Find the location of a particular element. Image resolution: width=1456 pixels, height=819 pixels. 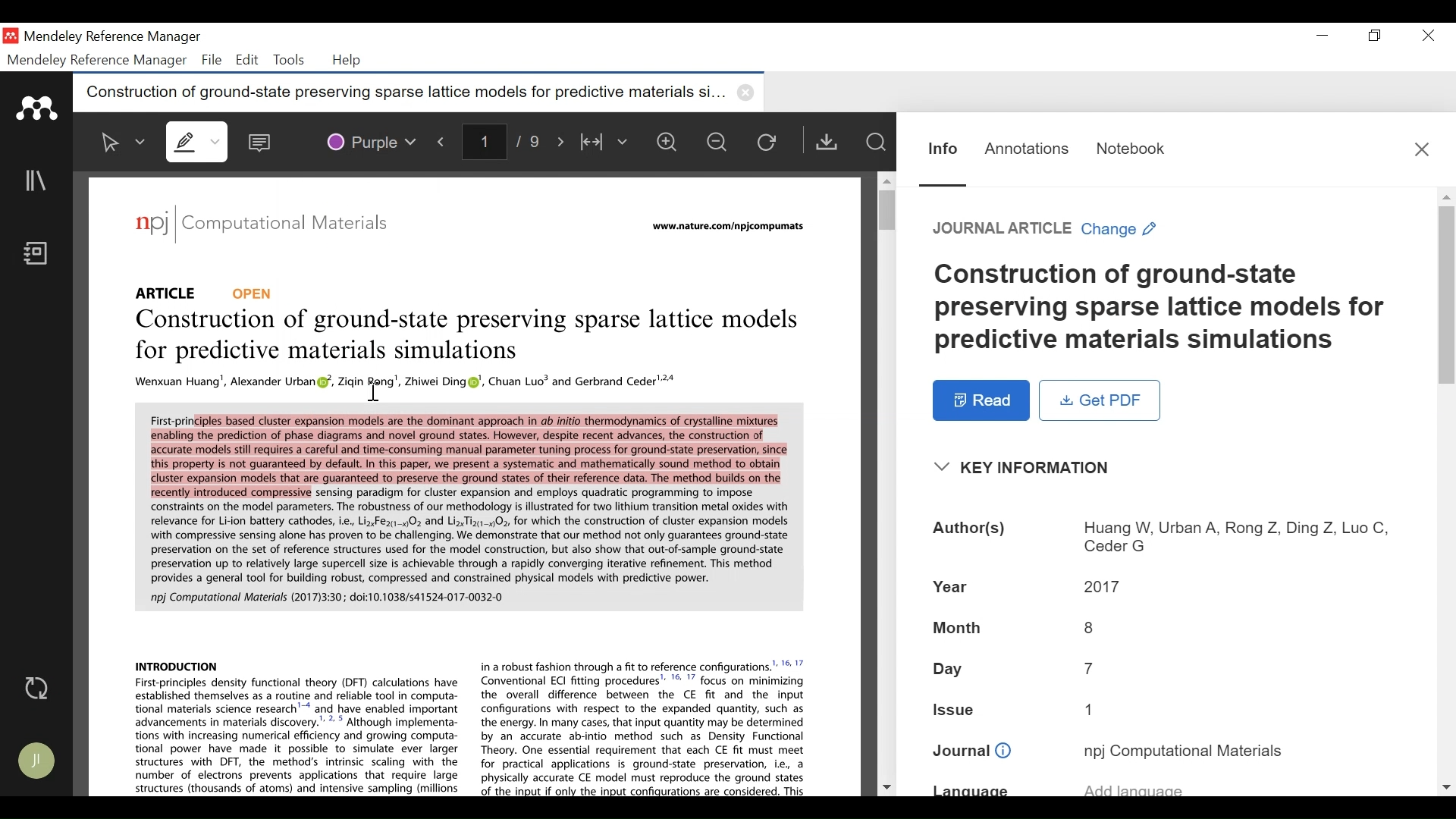

Navigate Forward is located at coordinates (560, 142).